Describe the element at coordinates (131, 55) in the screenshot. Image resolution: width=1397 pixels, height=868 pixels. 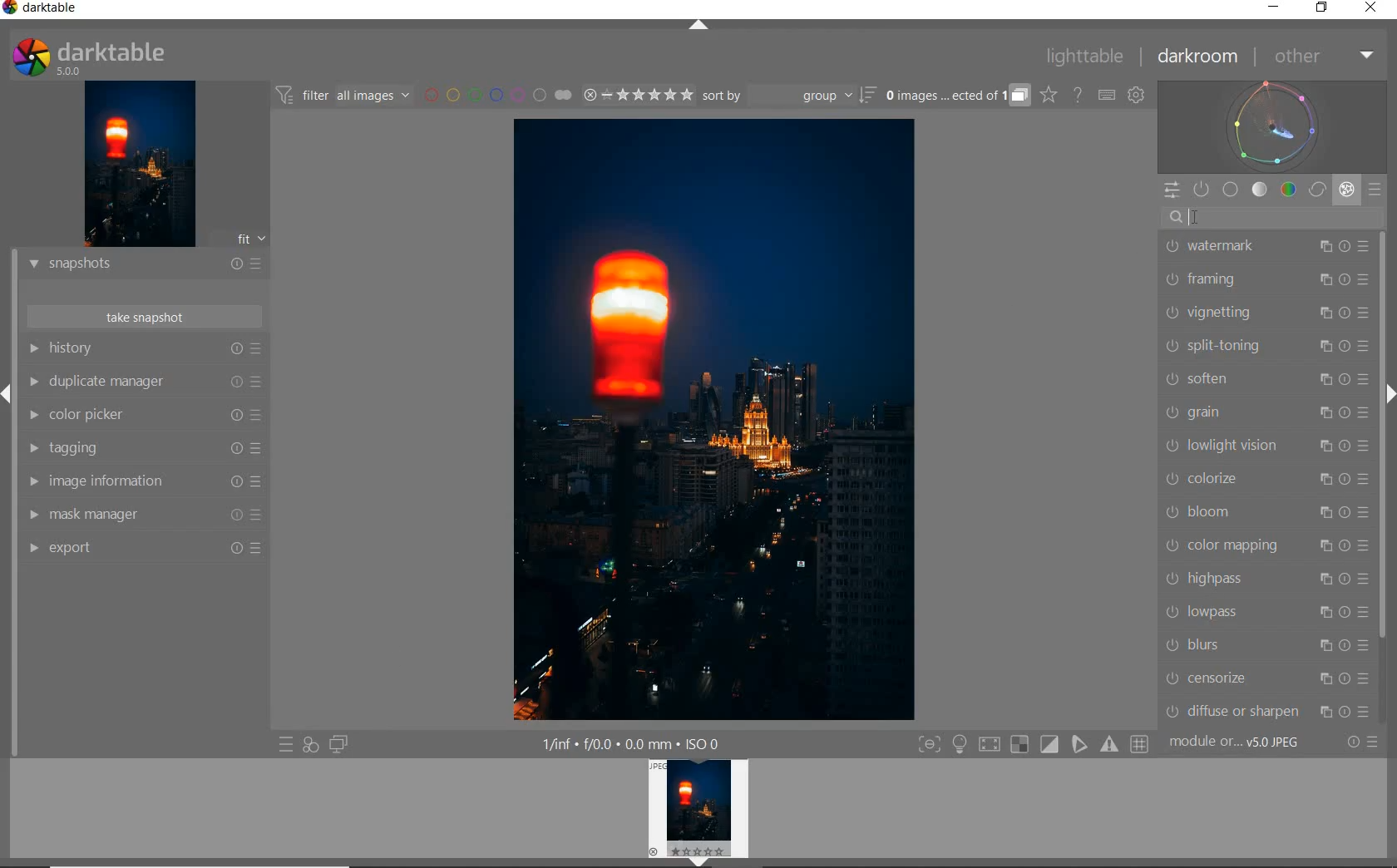
I see `darktable 5.0.0` at that location.